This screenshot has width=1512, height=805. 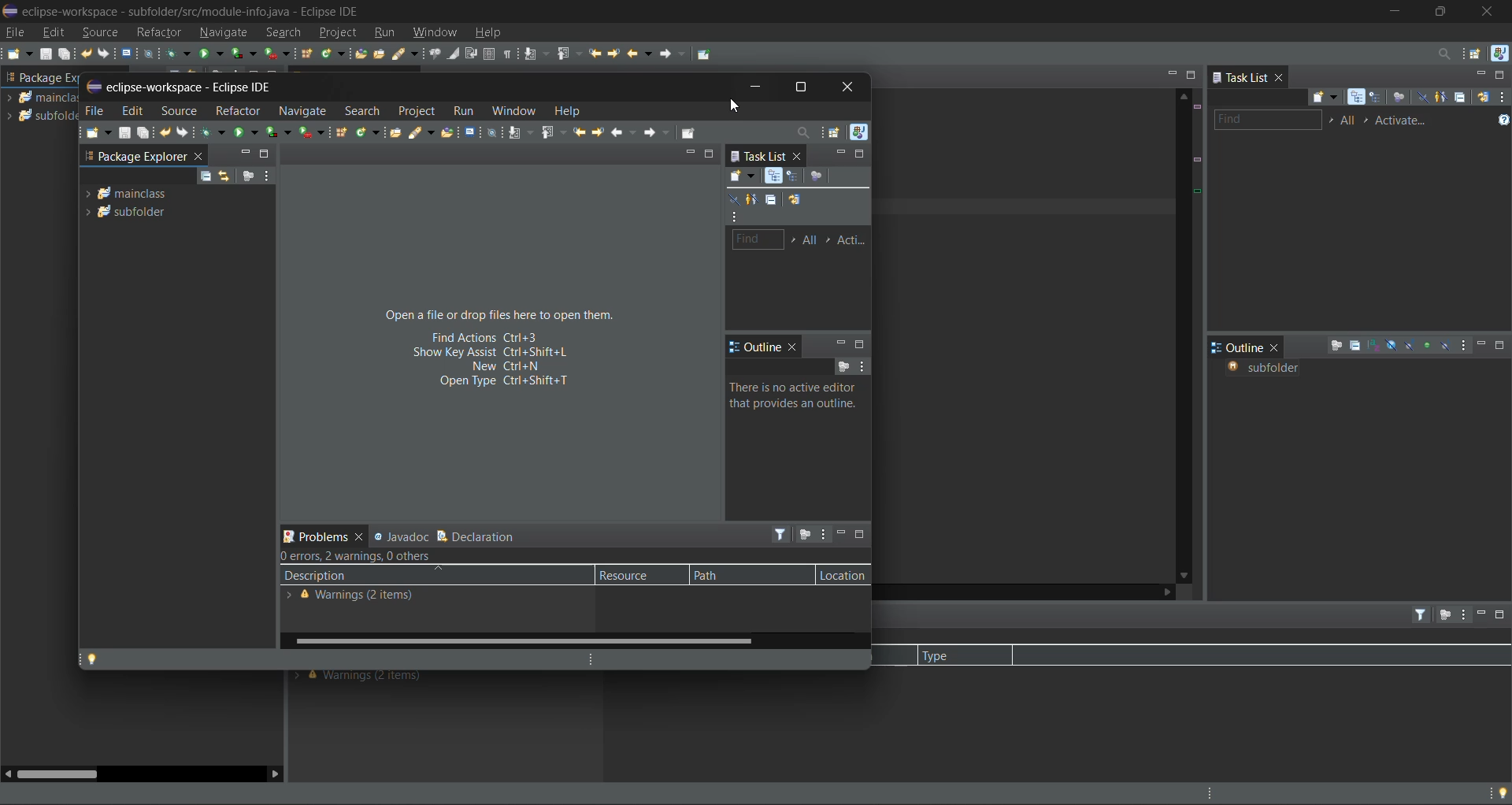 What do you see at coordinates (506, 349) in the screenshot?
I see `quick shortcuts on screen` at bounding box center [506, 349].